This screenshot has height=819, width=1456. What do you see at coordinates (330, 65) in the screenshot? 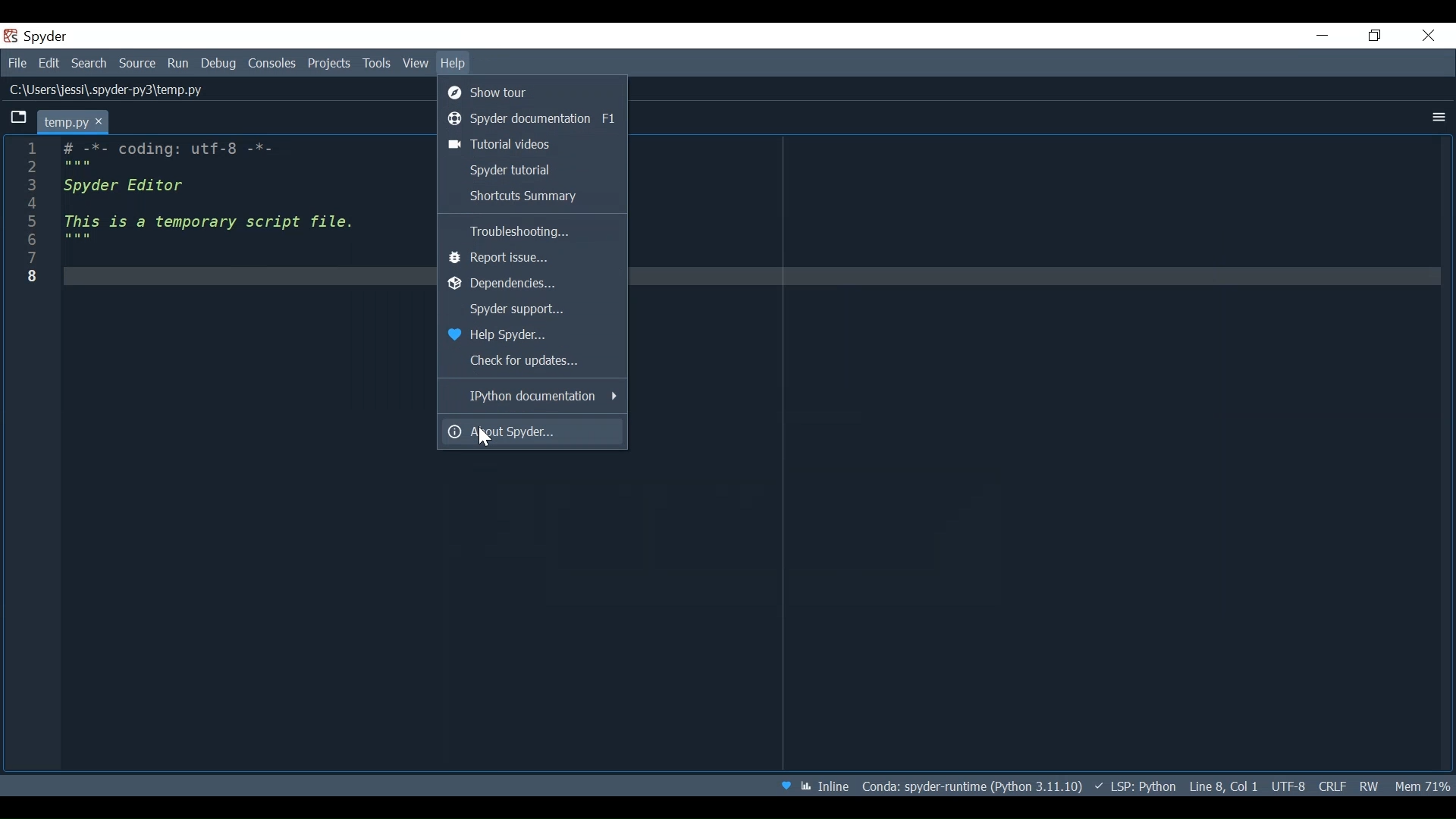
I see `Projects` at bounding box center [330, 65].